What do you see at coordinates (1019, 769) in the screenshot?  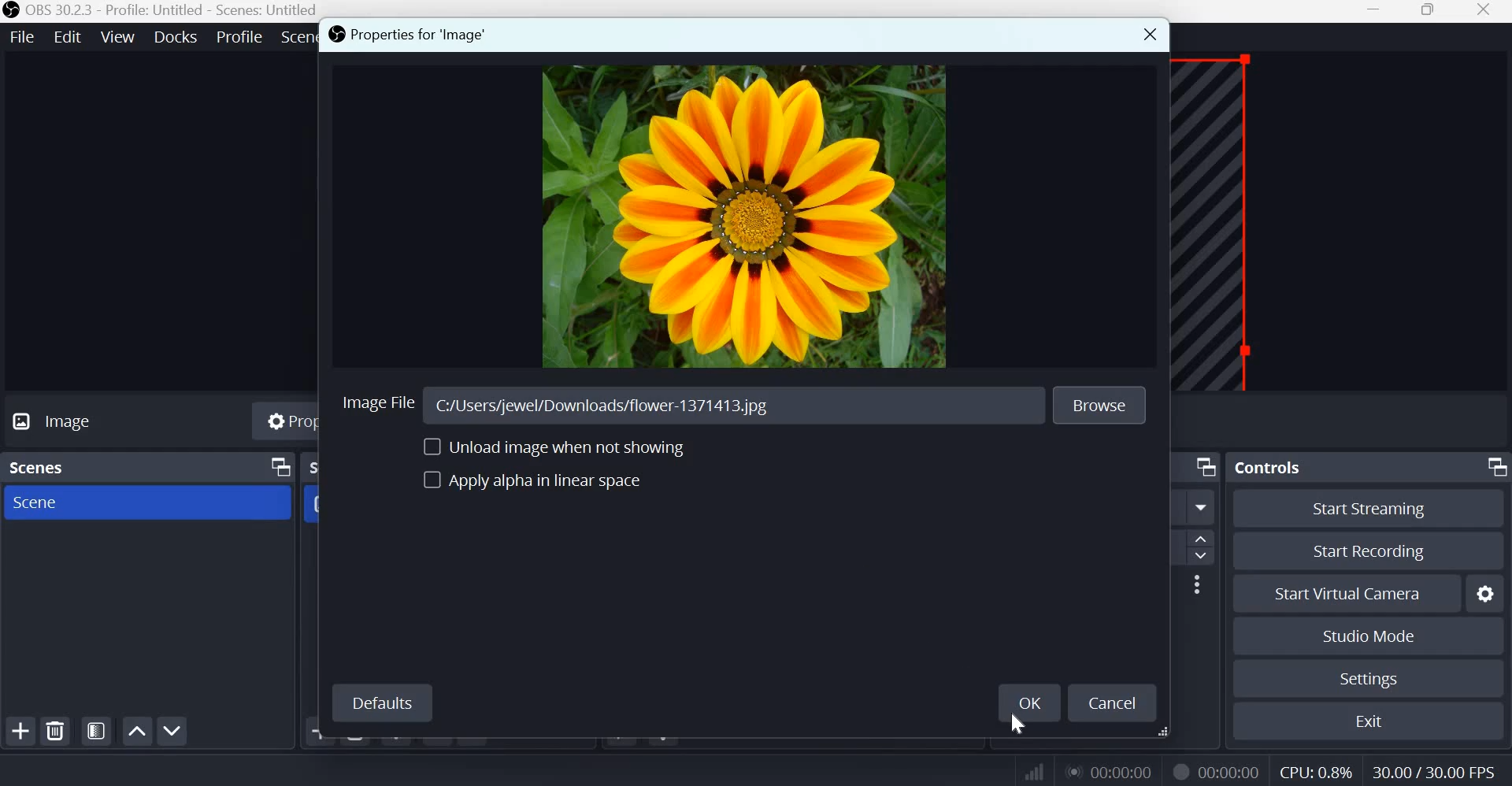 I see `network strength indicator` at bounding box center [1019, 769].